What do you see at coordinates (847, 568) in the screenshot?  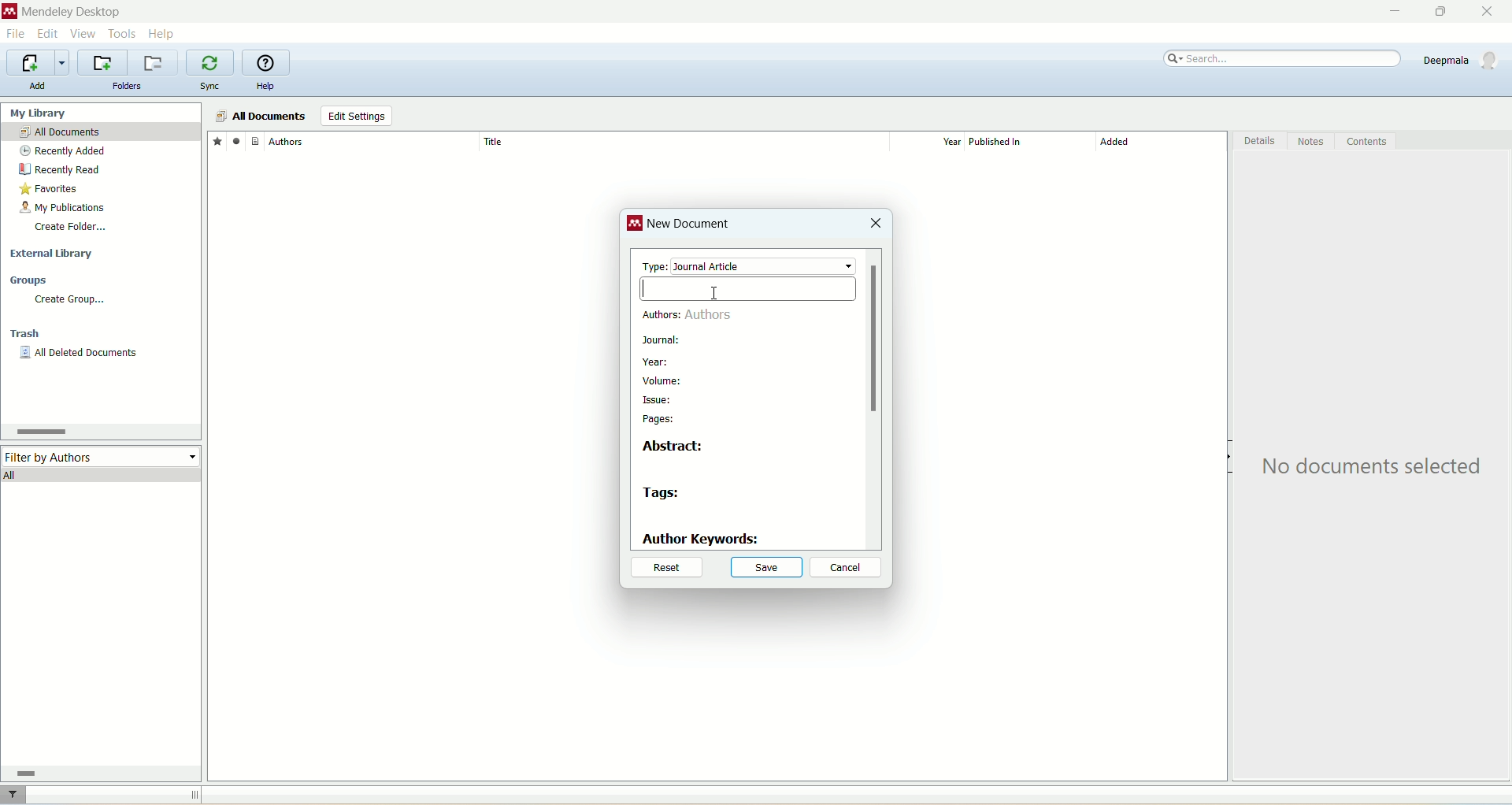 I see `cancel` at bounding box center [847, 568].